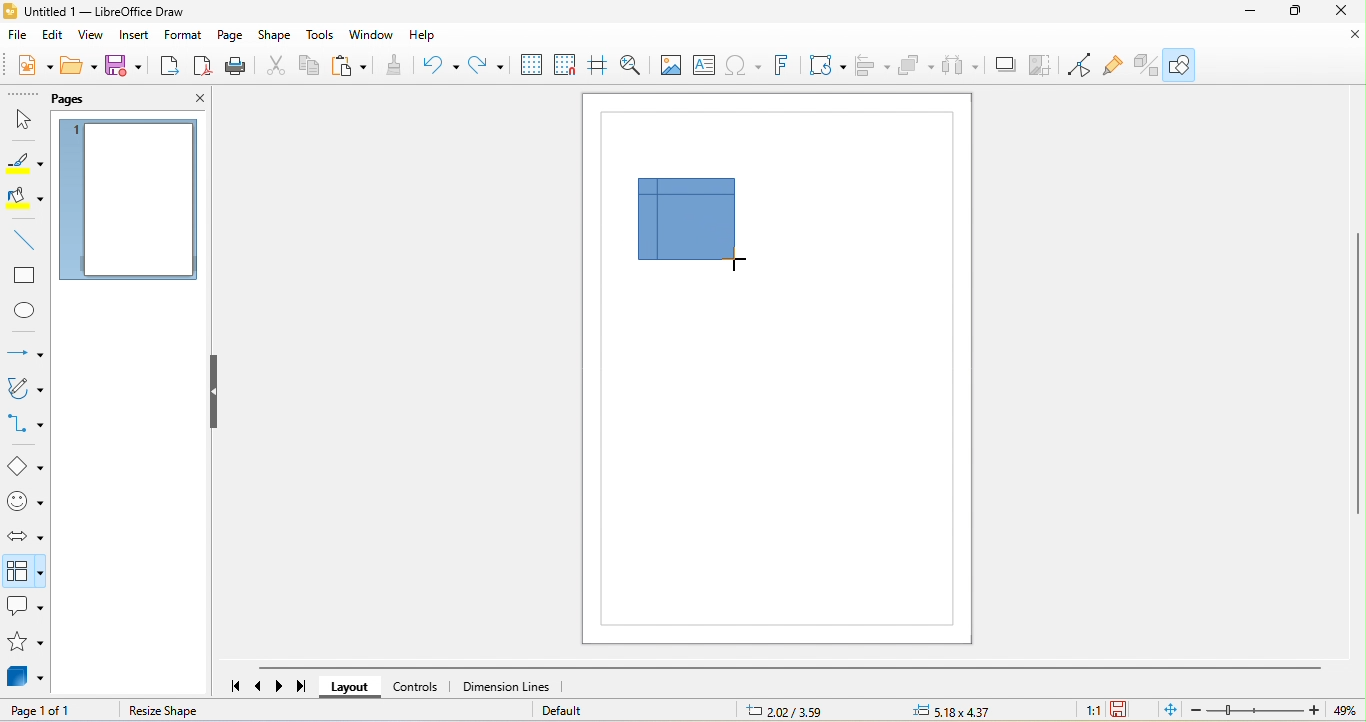  I want to click on select at least three object to distribute, so click(967, 66).